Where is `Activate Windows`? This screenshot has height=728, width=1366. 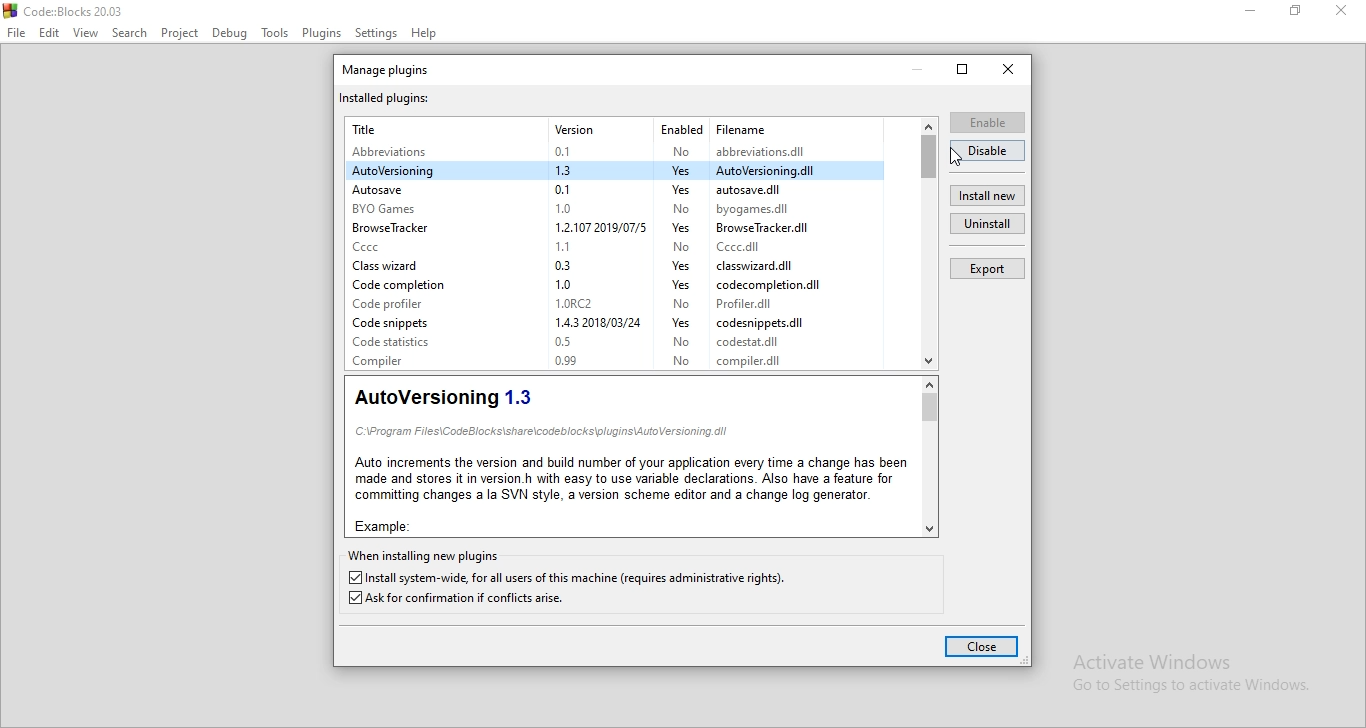
Activate Windows is located at coordinates (1182, 659).